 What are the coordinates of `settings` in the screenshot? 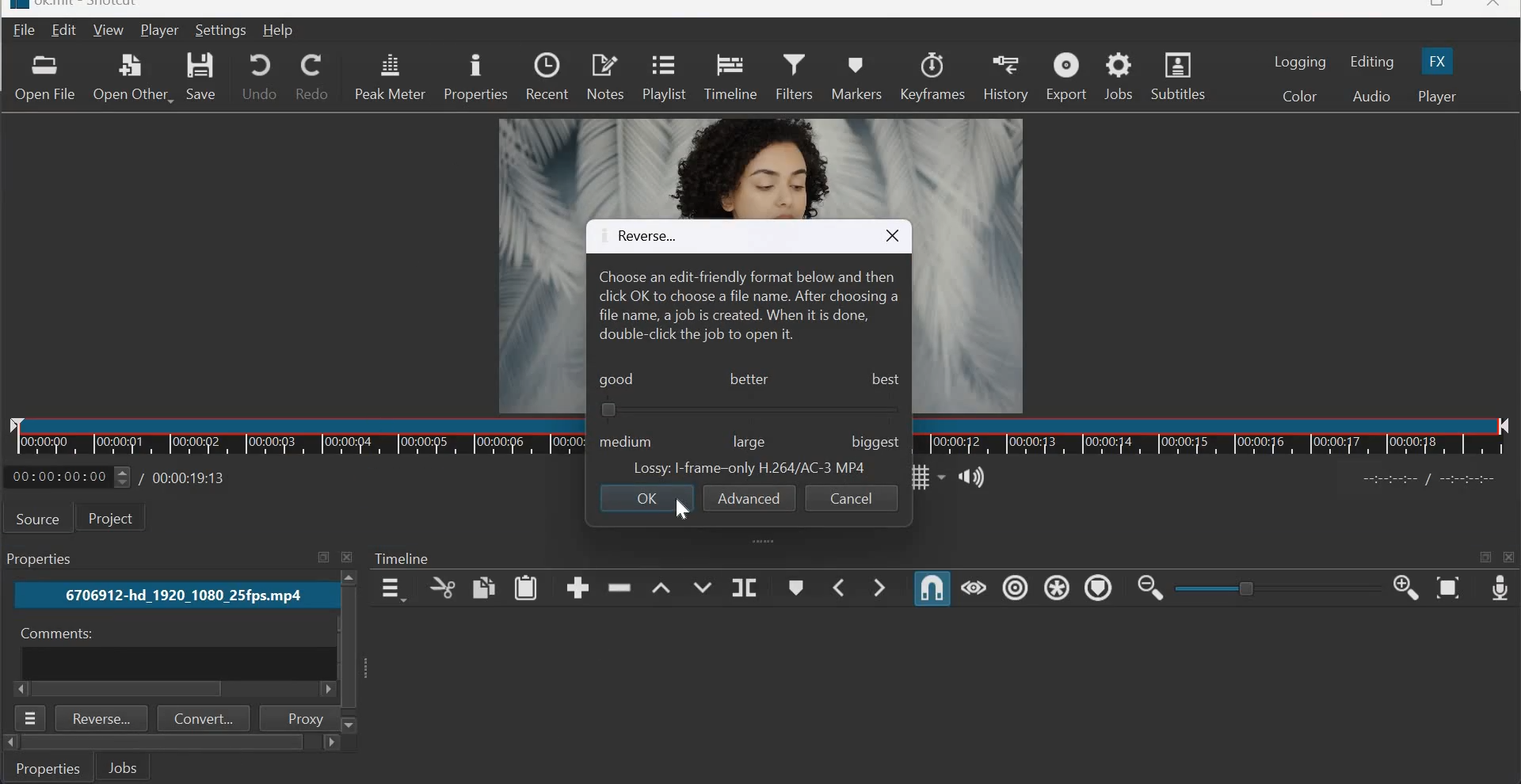 It's located at (223, 30).